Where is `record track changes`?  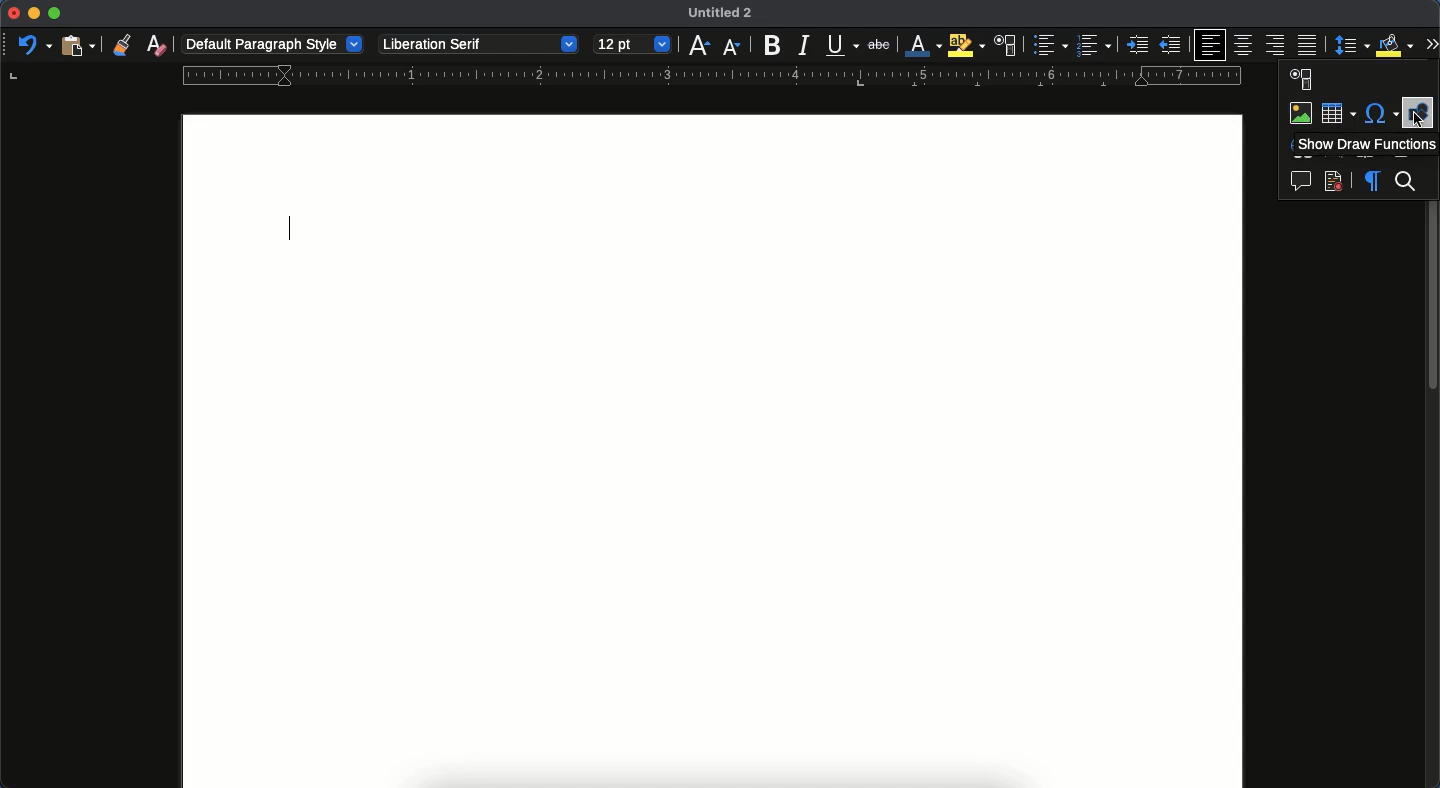 record track changes is located at coordinates (1333, 184).